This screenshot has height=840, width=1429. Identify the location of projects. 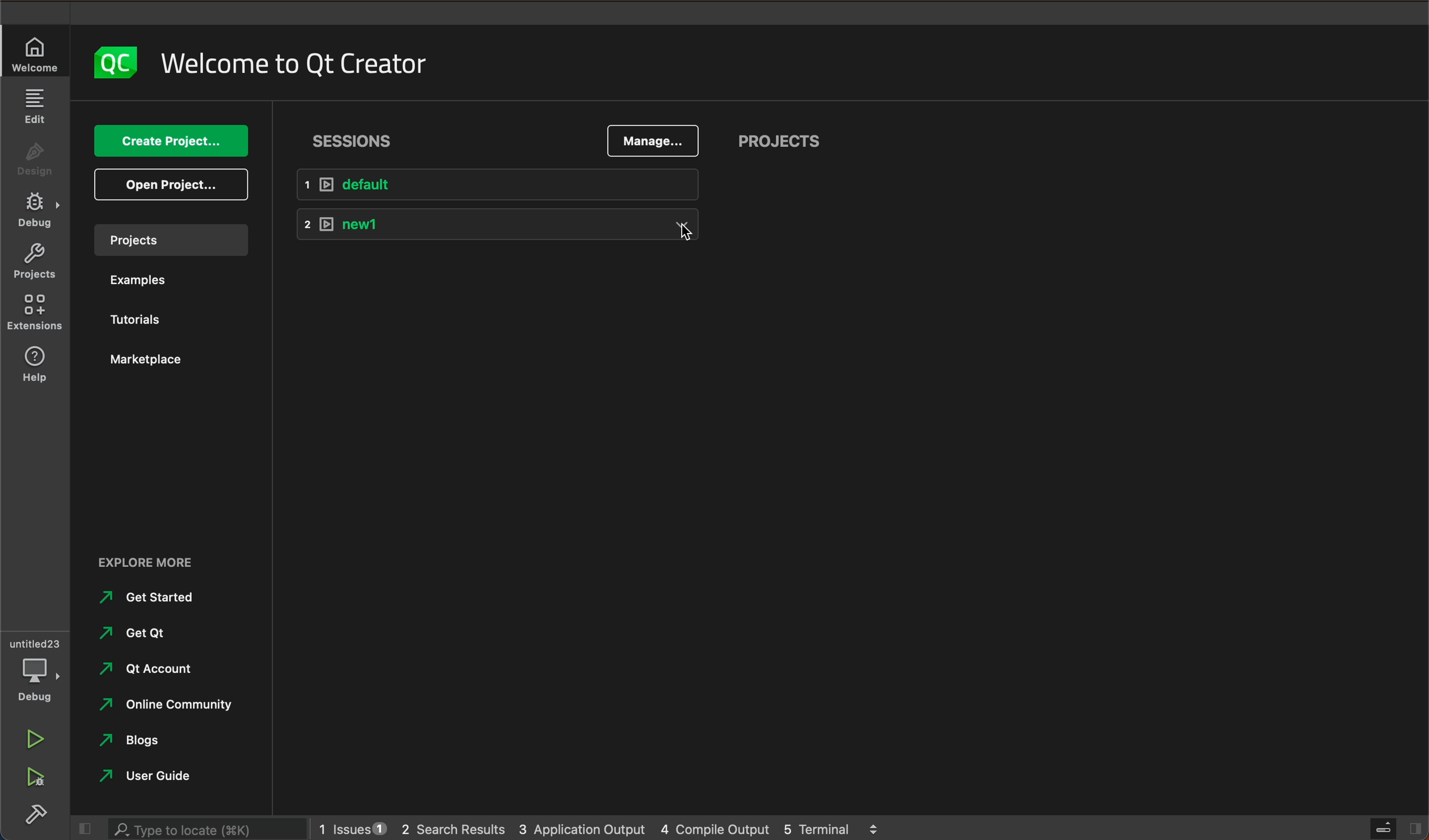
(780, 143).